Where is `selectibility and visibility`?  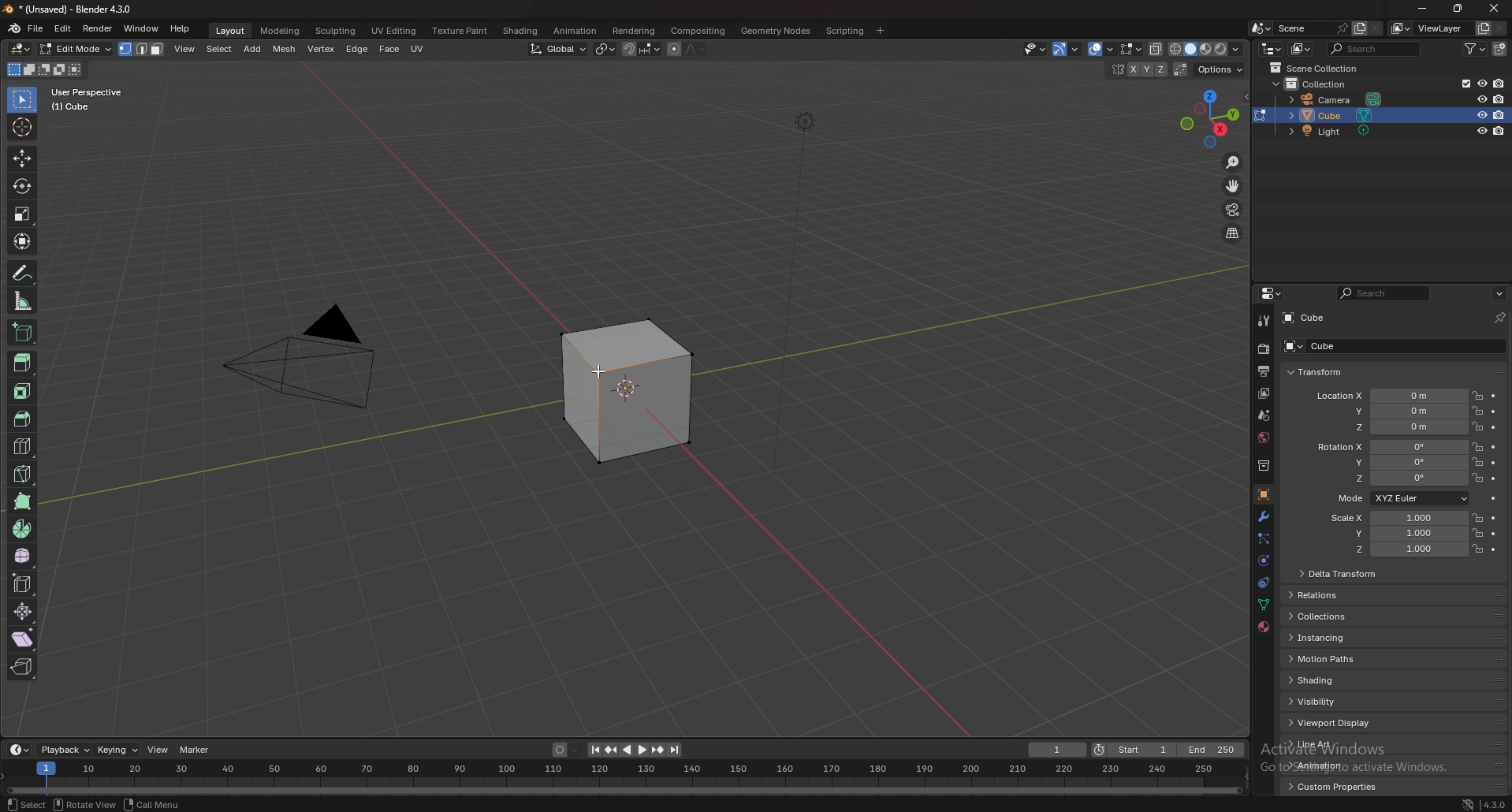
selectibility and visibility is located at coordinates (1035, 49).